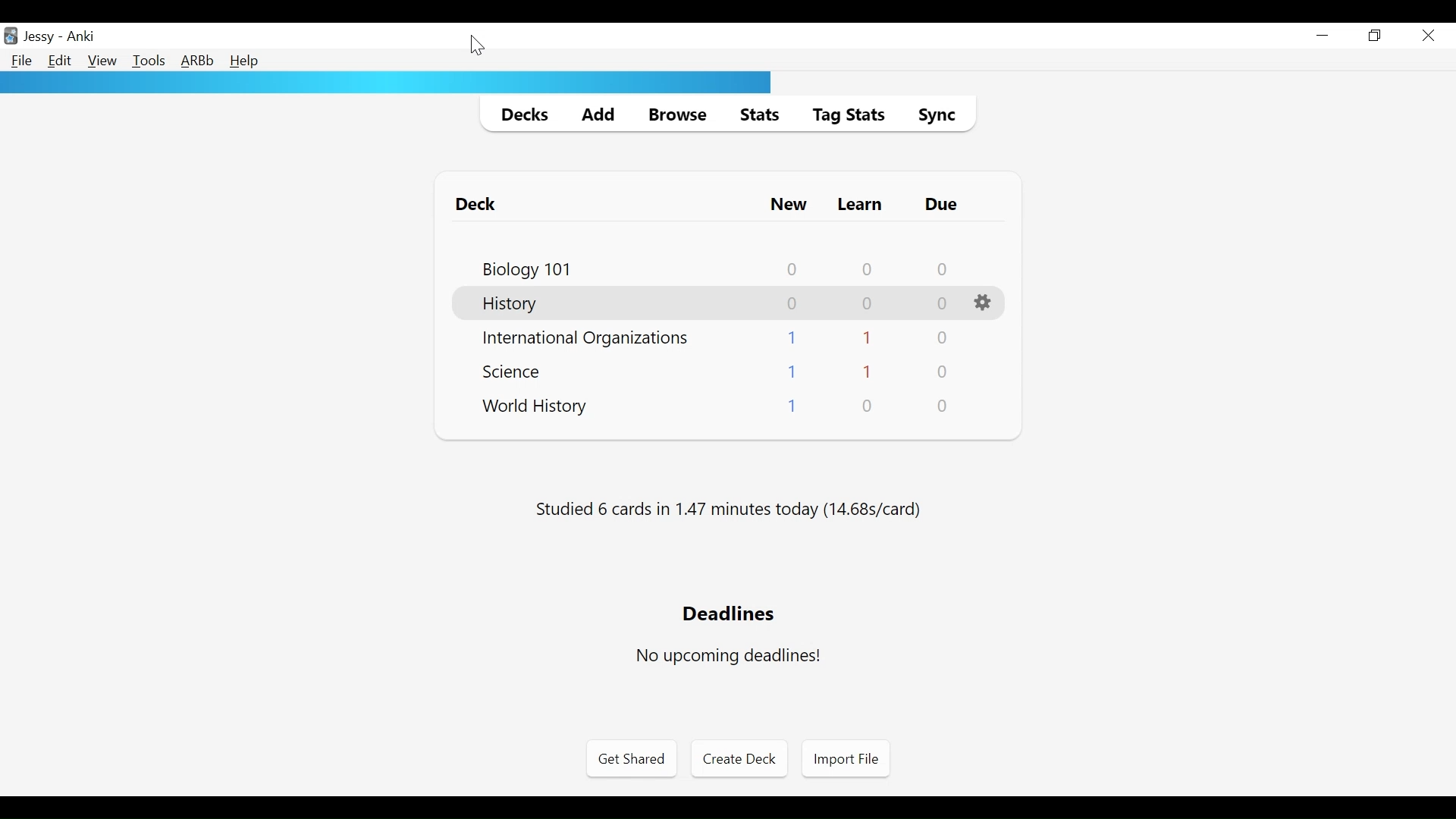  What do you see at coordinates (941, 372) in the screenshot?
I see `Due Card Count` at bounding box center [941, 372].